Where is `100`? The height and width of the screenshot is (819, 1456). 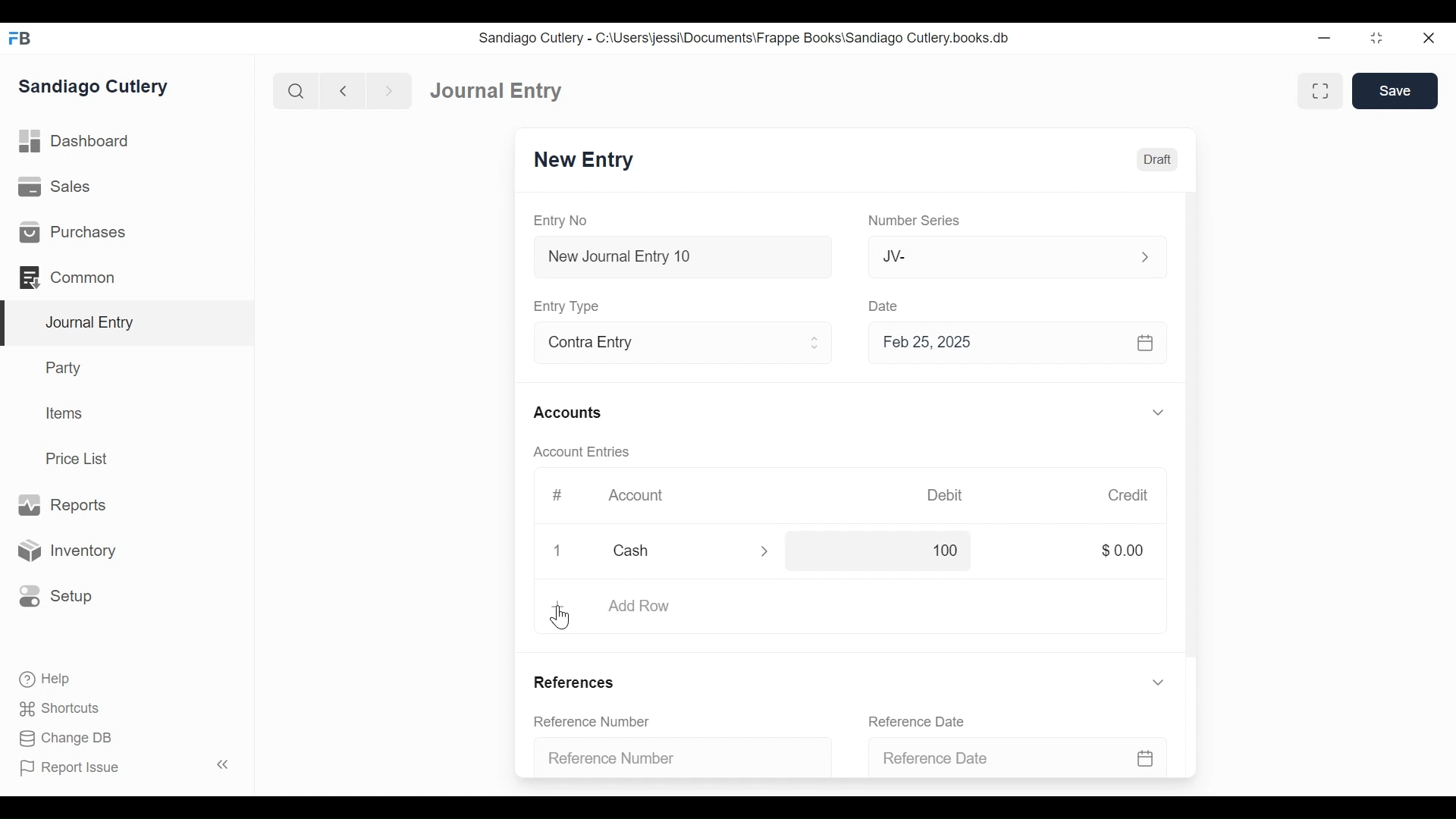
100 is located at coordinates (881, 551).